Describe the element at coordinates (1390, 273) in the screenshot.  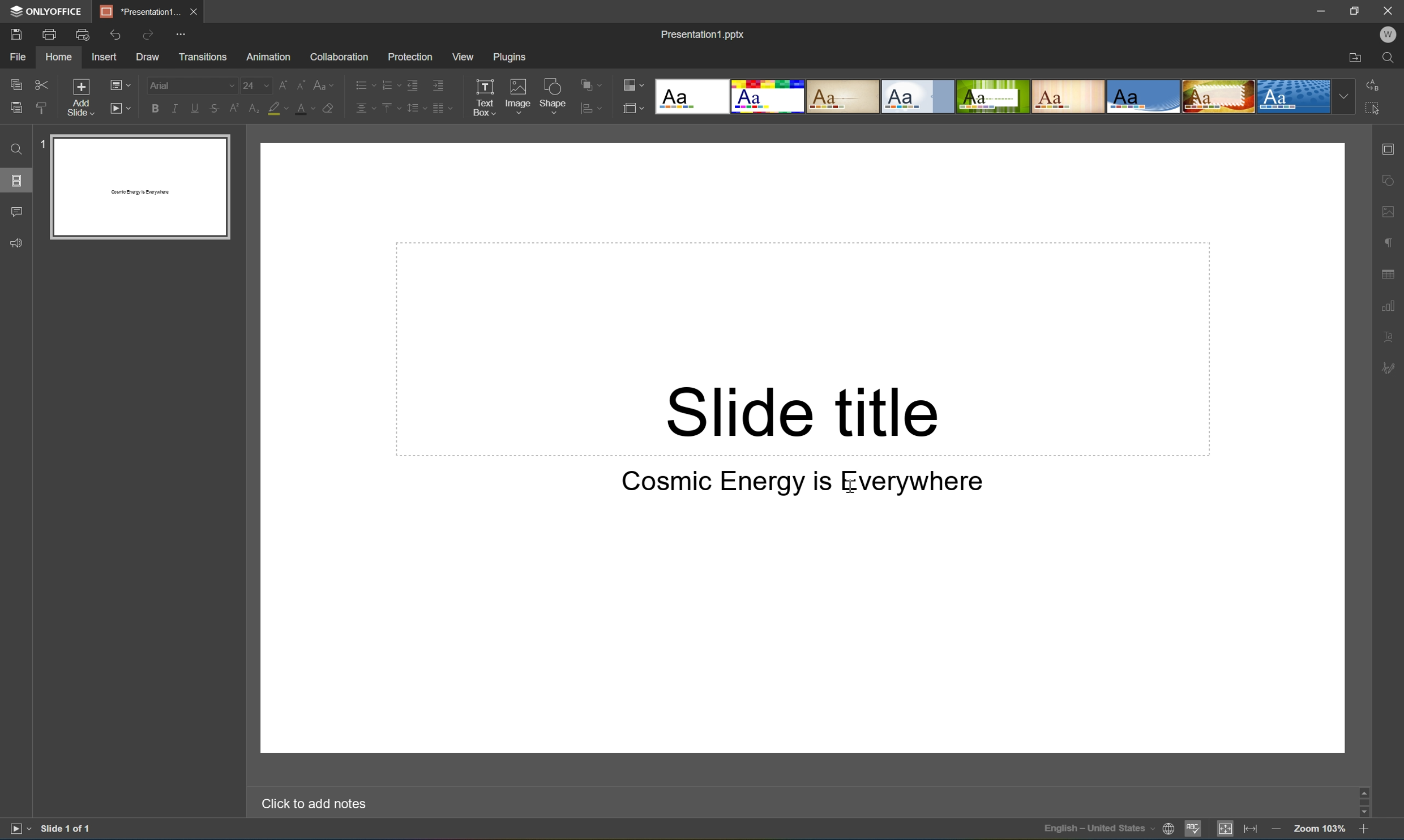
I see `Table settings` at that location.